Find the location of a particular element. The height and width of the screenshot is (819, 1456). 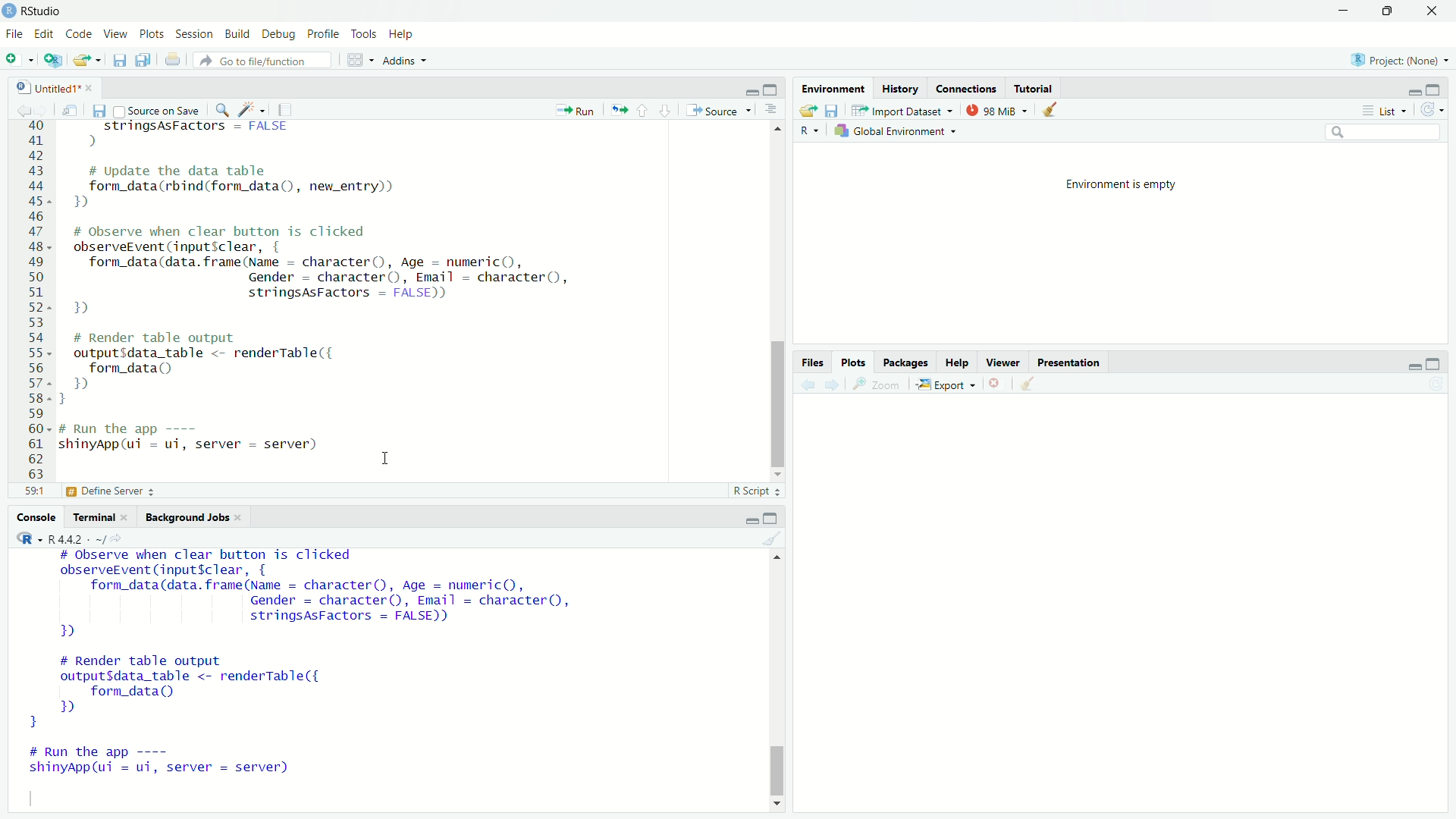

create a project is located at coordinates (53, 60).